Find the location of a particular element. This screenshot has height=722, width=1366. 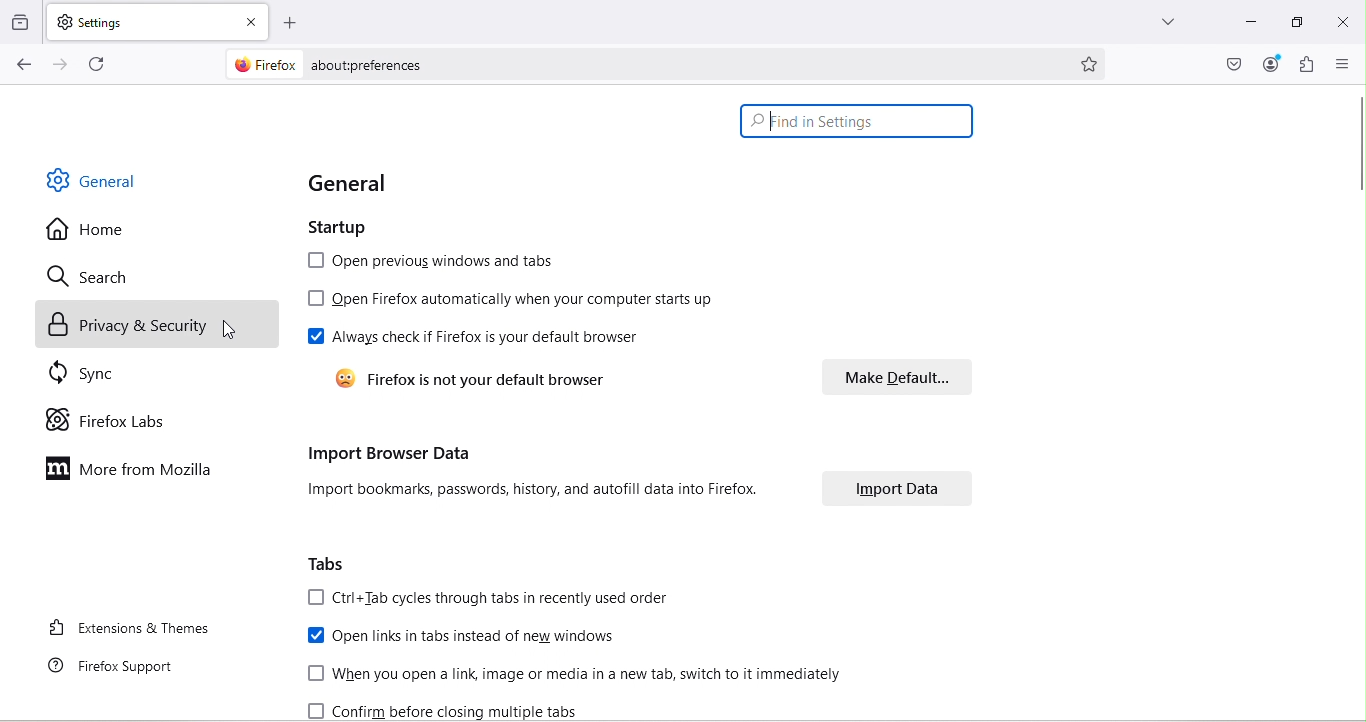

Cursor is located at coordinates (245, 331).